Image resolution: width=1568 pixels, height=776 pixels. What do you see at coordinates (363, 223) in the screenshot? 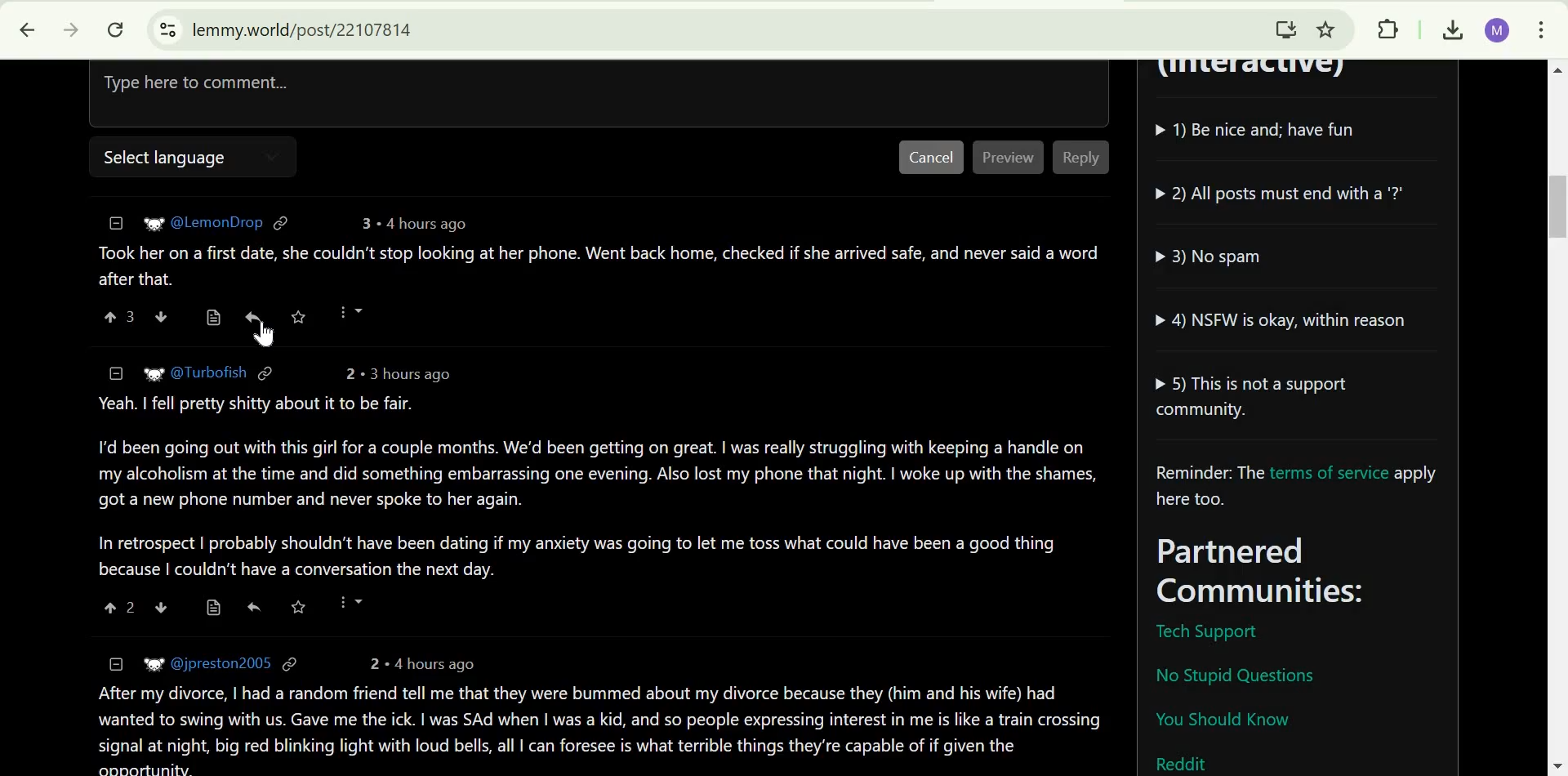
I see `3 points` at bounding box center [363, 223].